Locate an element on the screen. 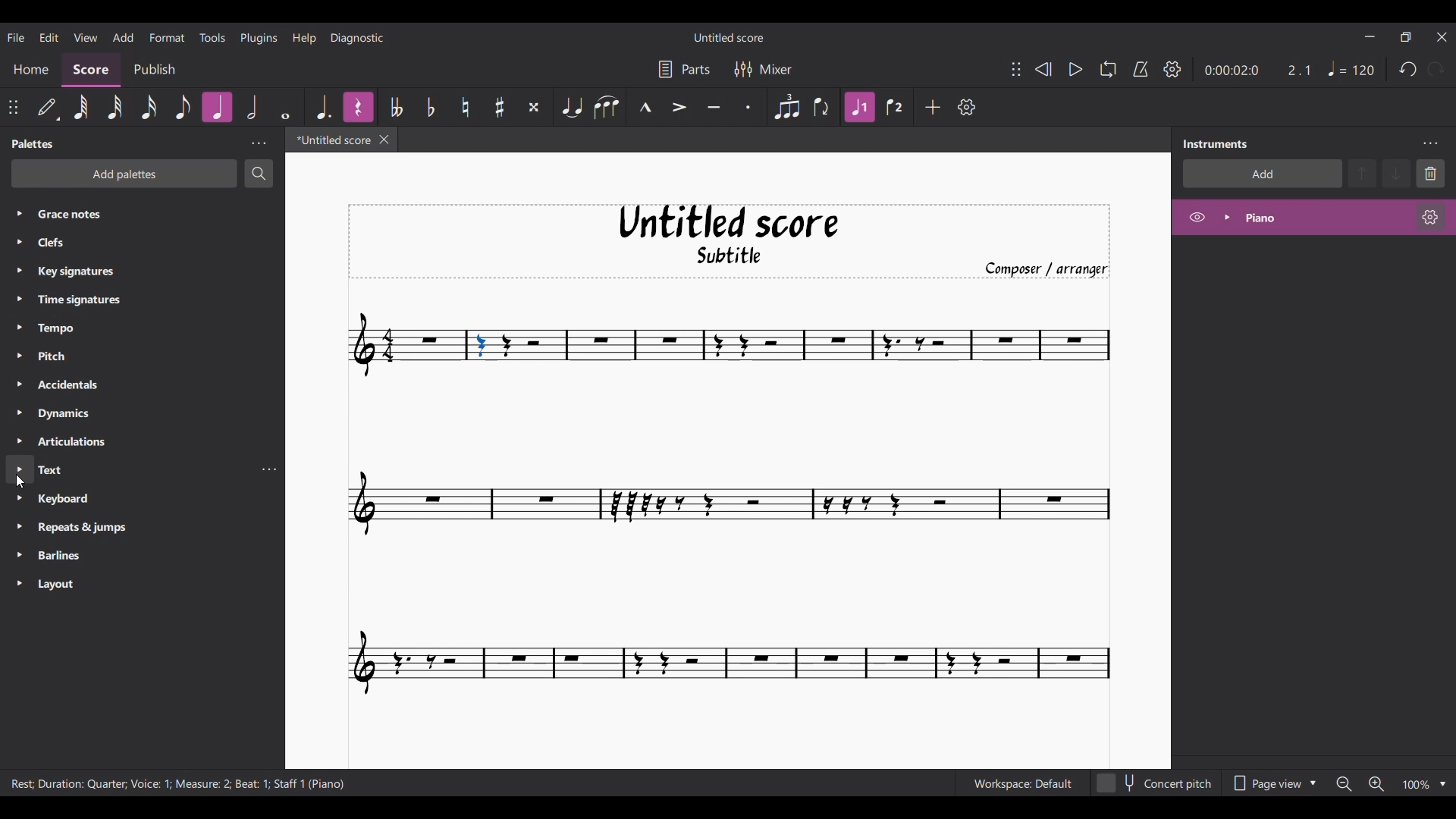  Edit menu is located at coordinates (49, 37).